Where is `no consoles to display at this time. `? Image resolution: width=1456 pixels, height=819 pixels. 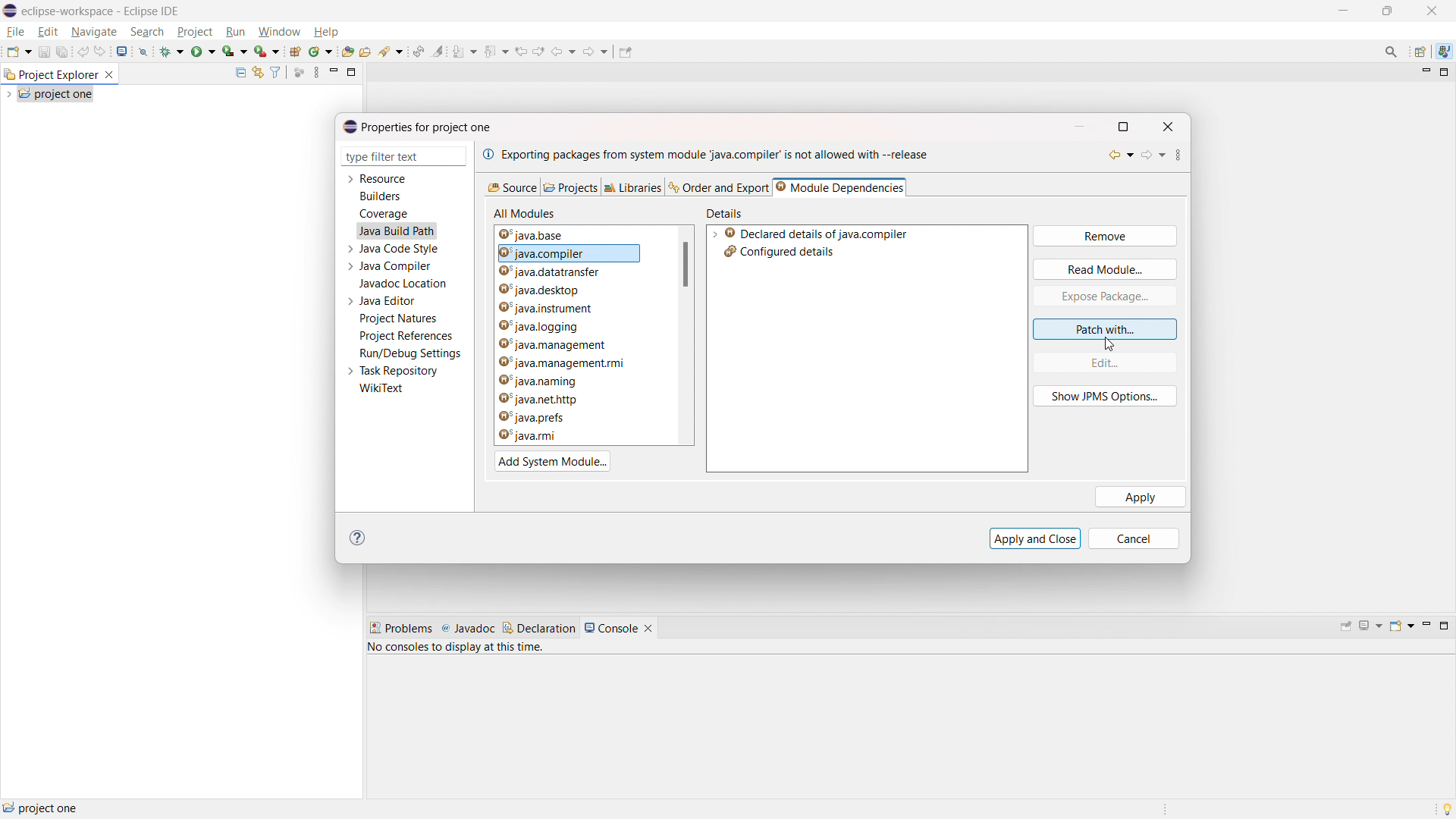
no consoles to display at this time.  is located at coordinates (459, 650).